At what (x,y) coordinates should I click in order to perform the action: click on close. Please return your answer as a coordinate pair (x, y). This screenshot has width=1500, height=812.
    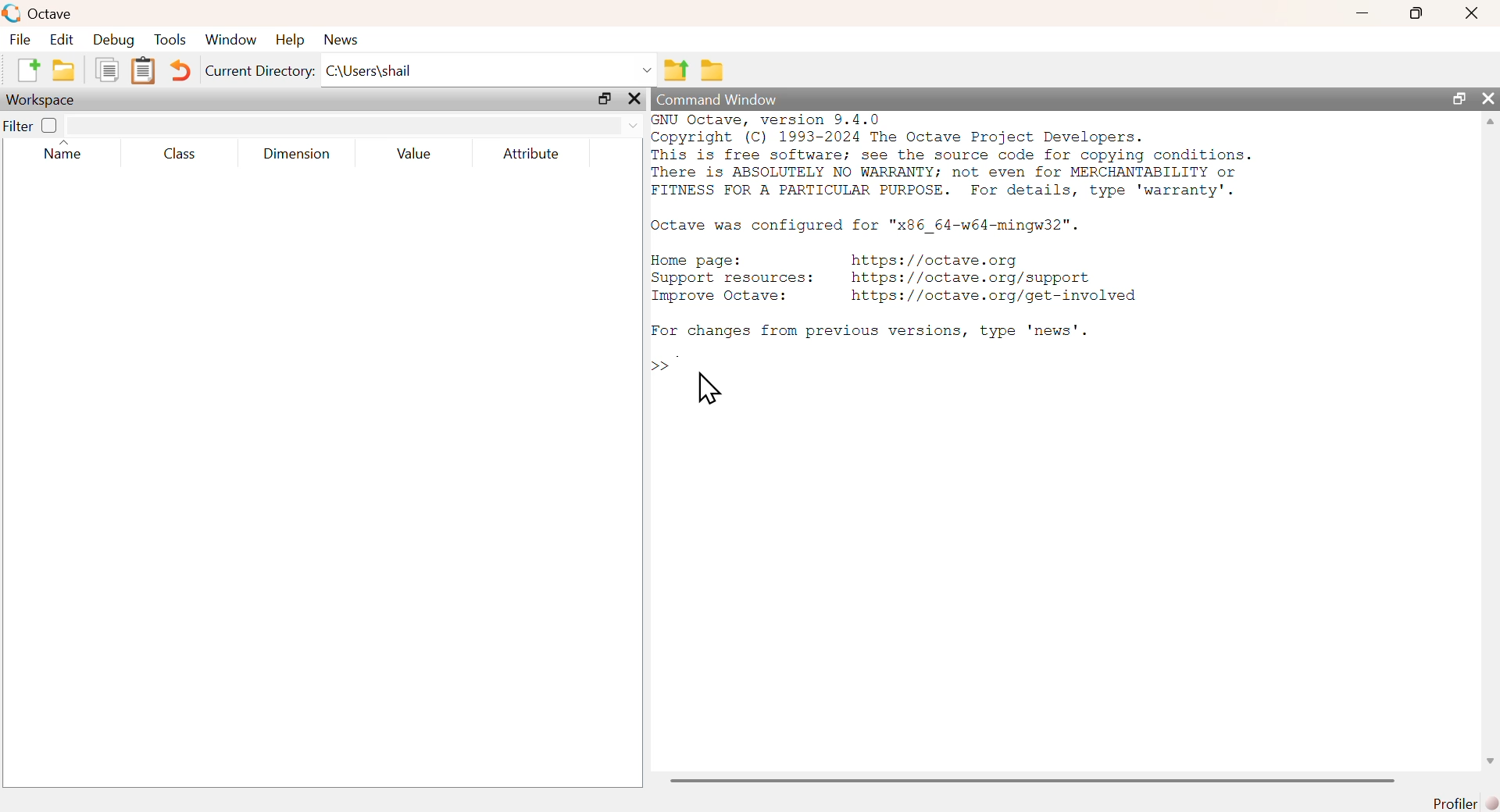
    Looking at the image, I should click on (634, 98).